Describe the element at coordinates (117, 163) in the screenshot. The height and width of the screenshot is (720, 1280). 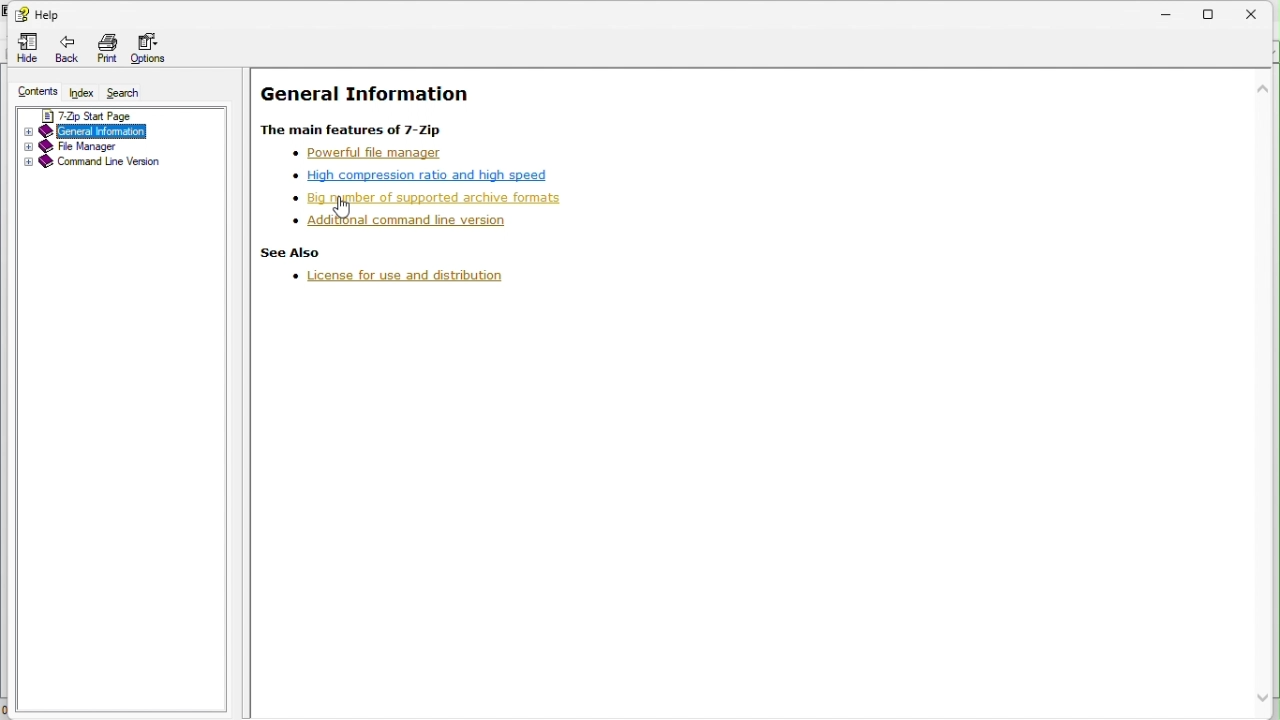
I see `Command line version` at that location.